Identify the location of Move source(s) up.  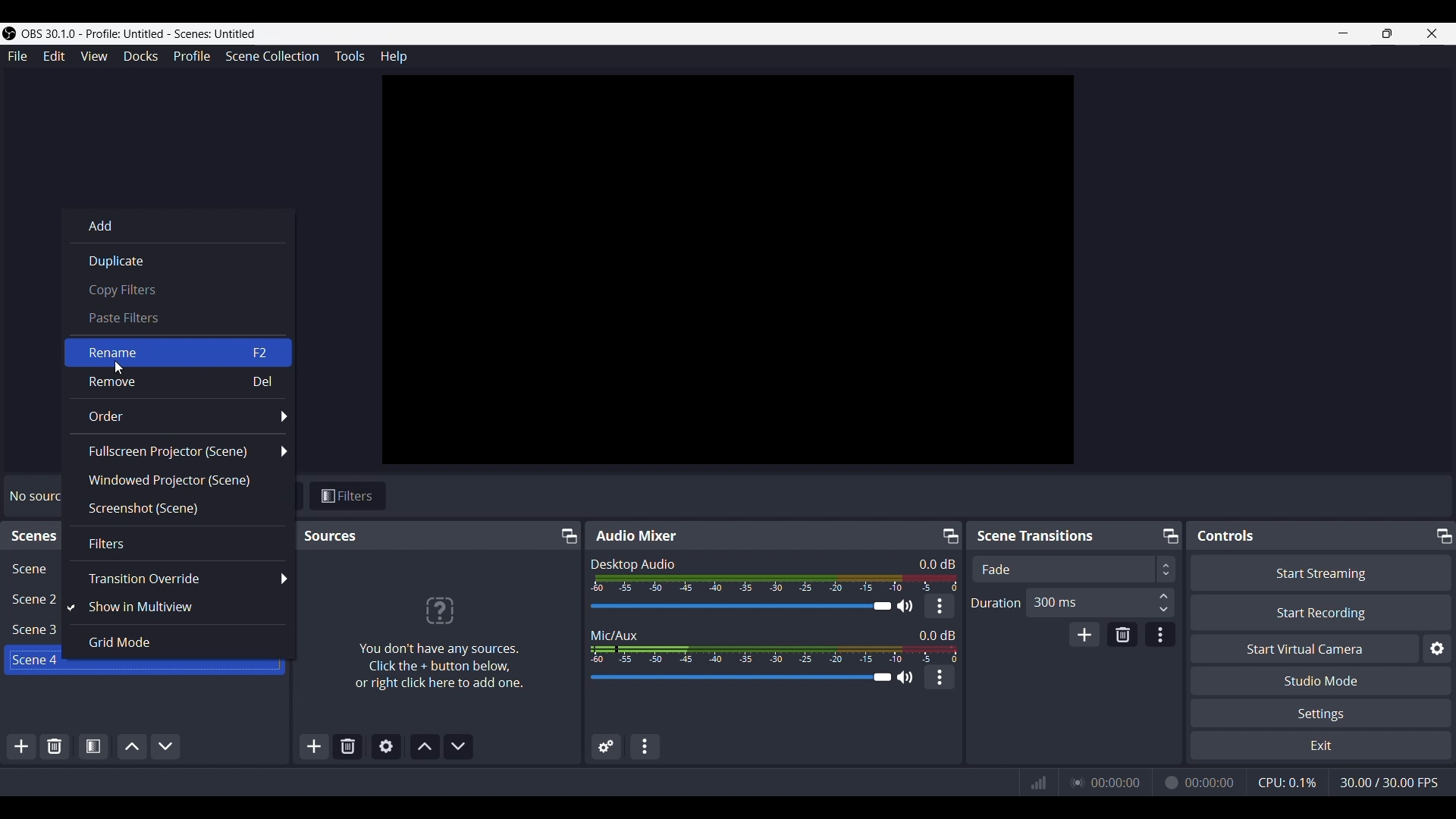
(425, 746).